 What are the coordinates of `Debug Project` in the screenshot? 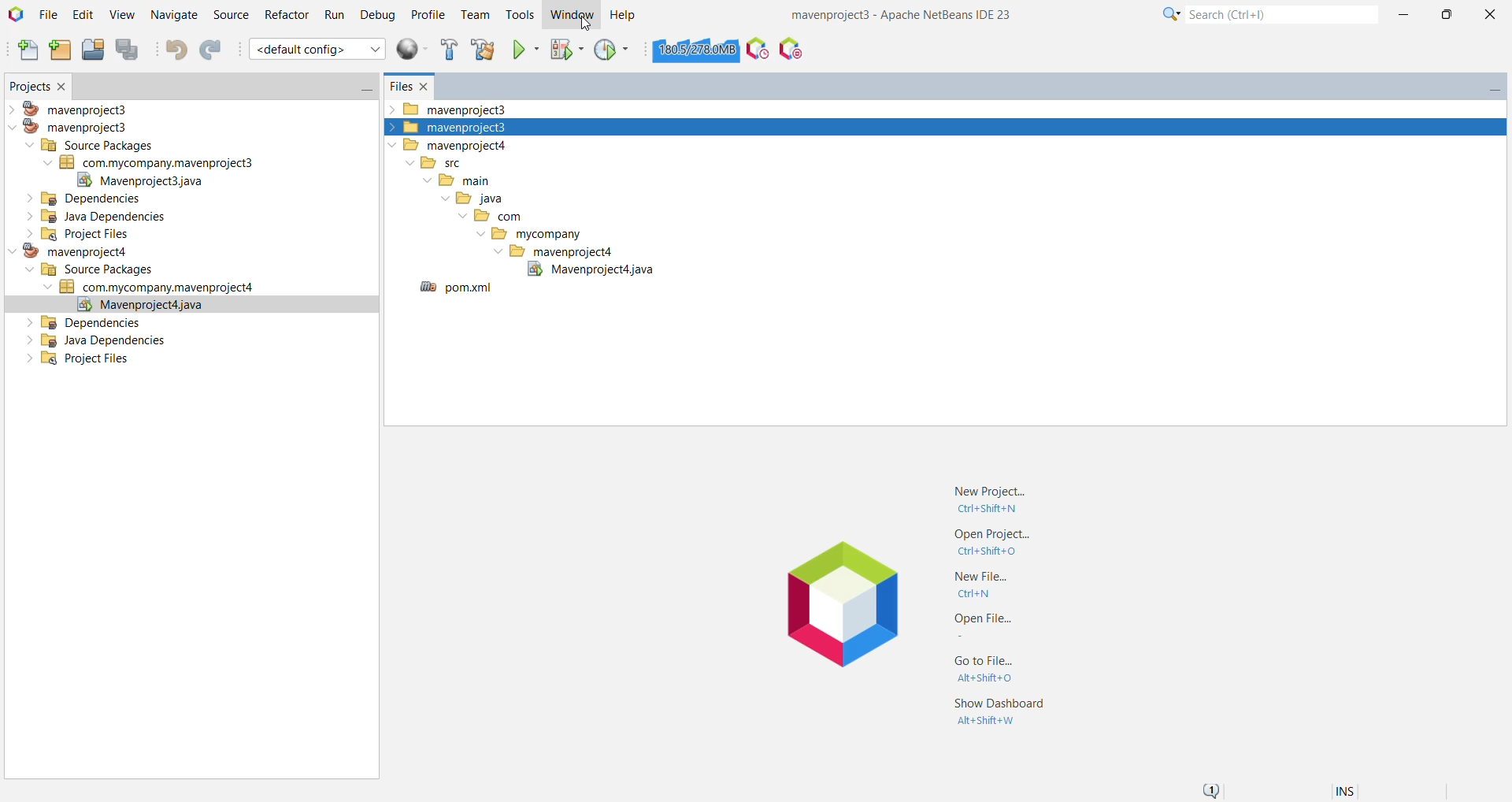 It's located at (566, 51).